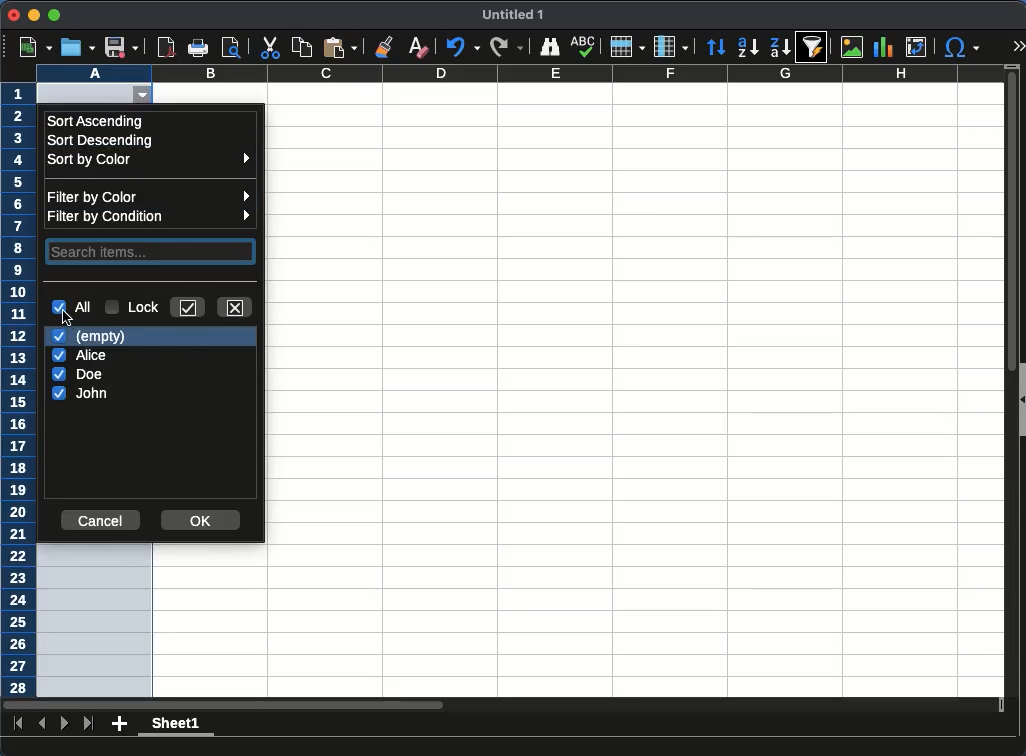  What do you see at coordinates (102, 521) in the screenshot?
I see `cancel` at bounding box center [102, 521].